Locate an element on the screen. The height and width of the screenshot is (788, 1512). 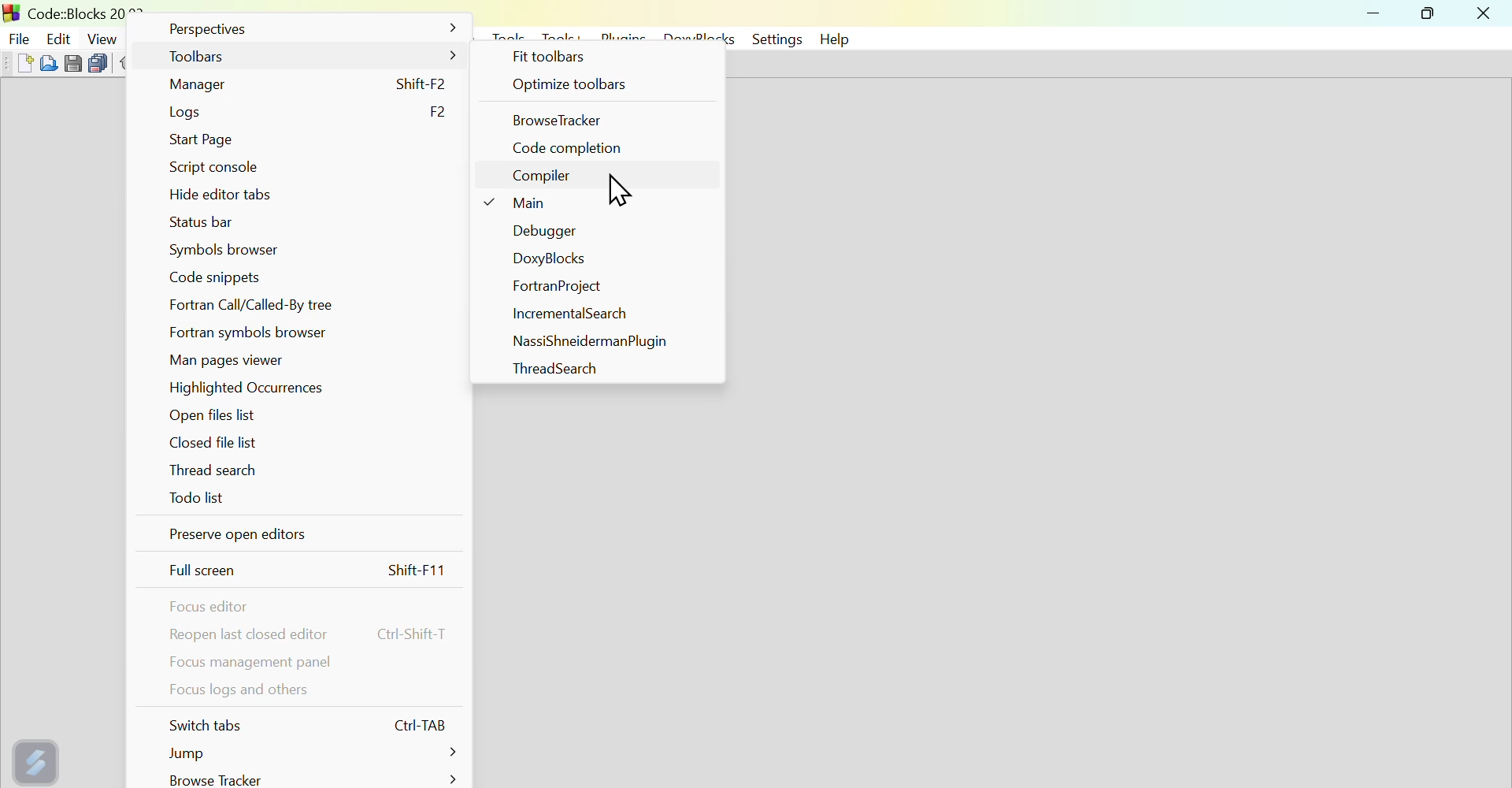
Fit toolbars is located at coordinates (553, 57).